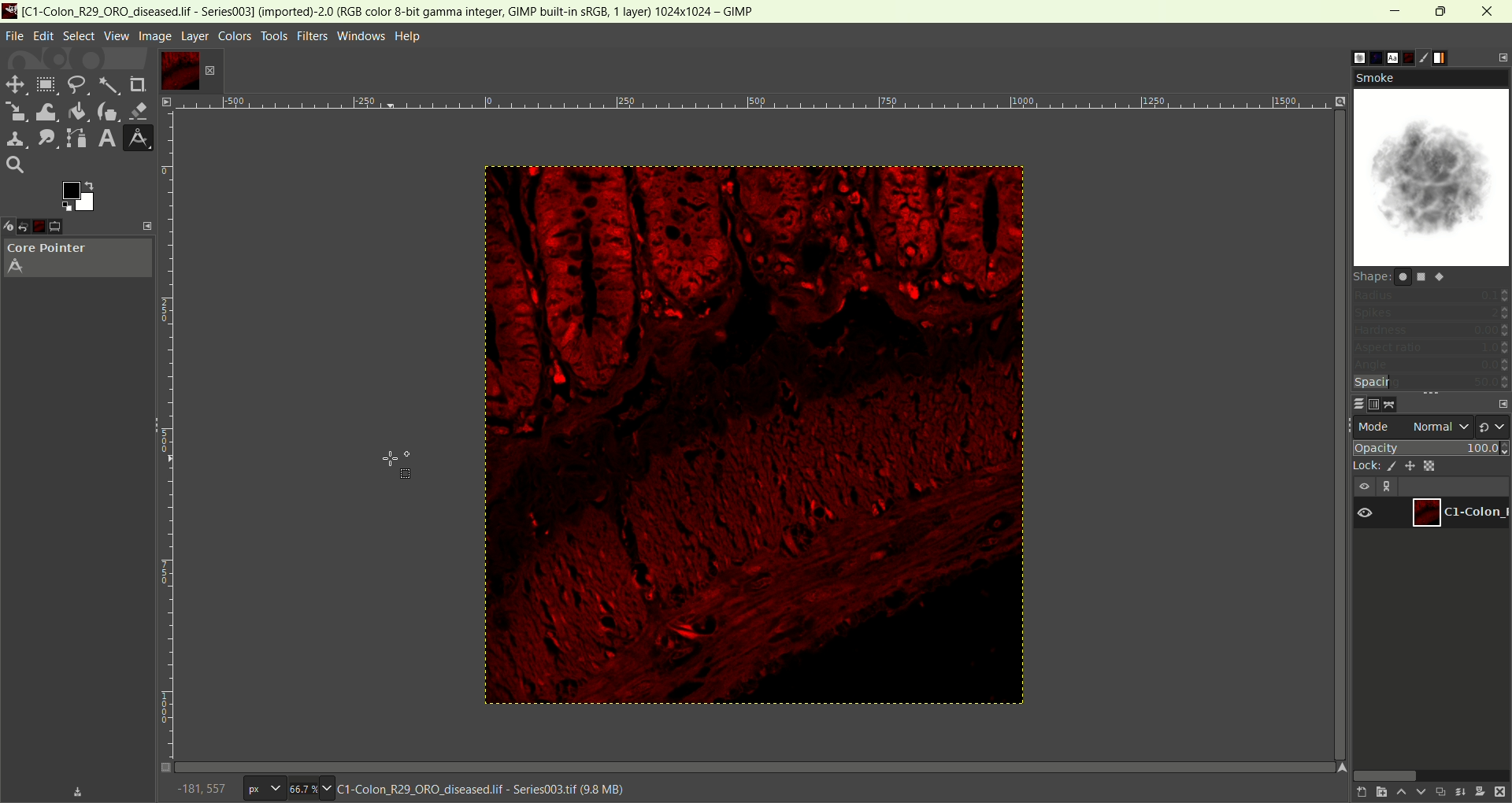 The image size is (1512, 803). Describe the element at coordinates (1346, 57) in the screenshot. I see `brush` at that location.